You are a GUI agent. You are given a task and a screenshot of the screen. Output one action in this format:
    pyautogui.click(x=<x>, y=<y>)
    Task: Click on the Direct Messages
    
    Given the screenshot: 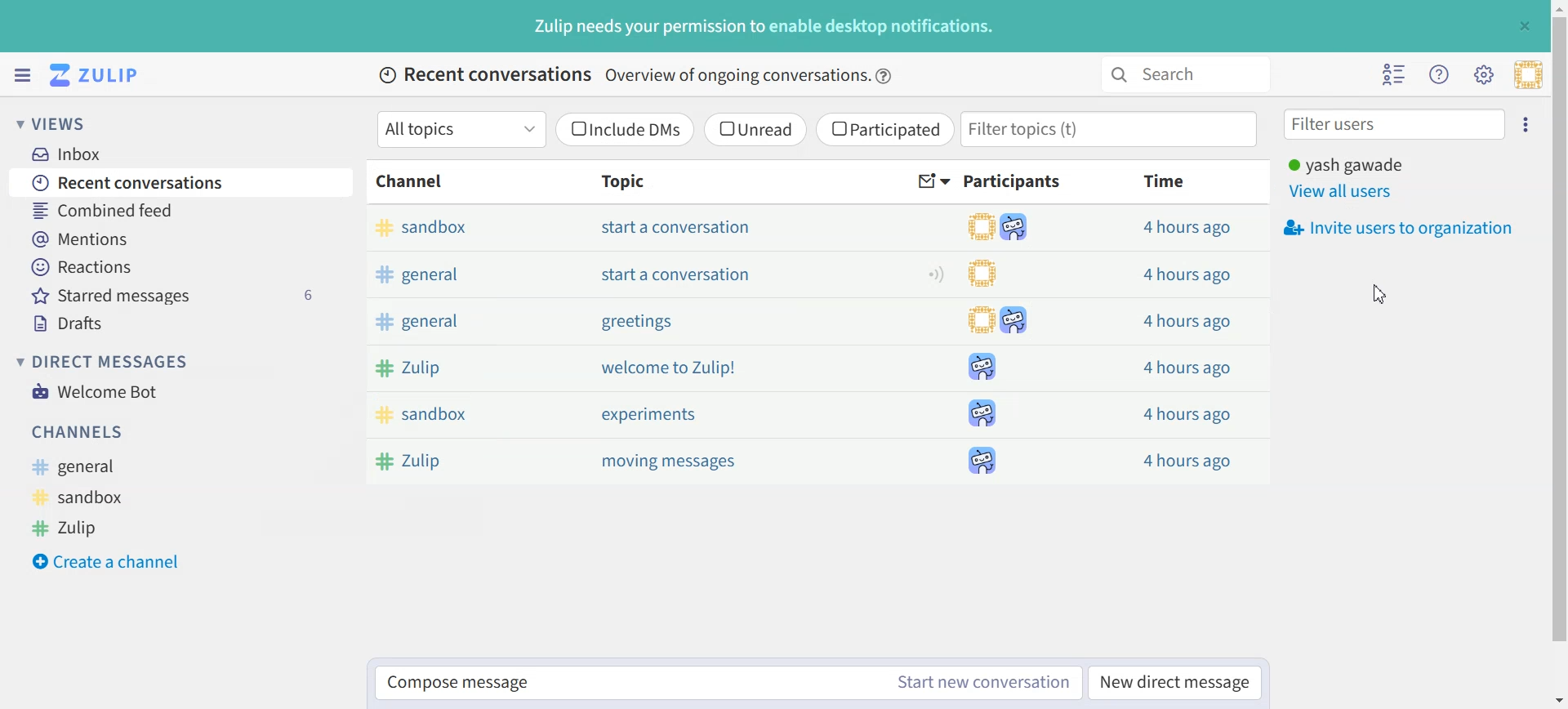 What is the action you would take?
    pyautogui.click(x=107, y=361)
    